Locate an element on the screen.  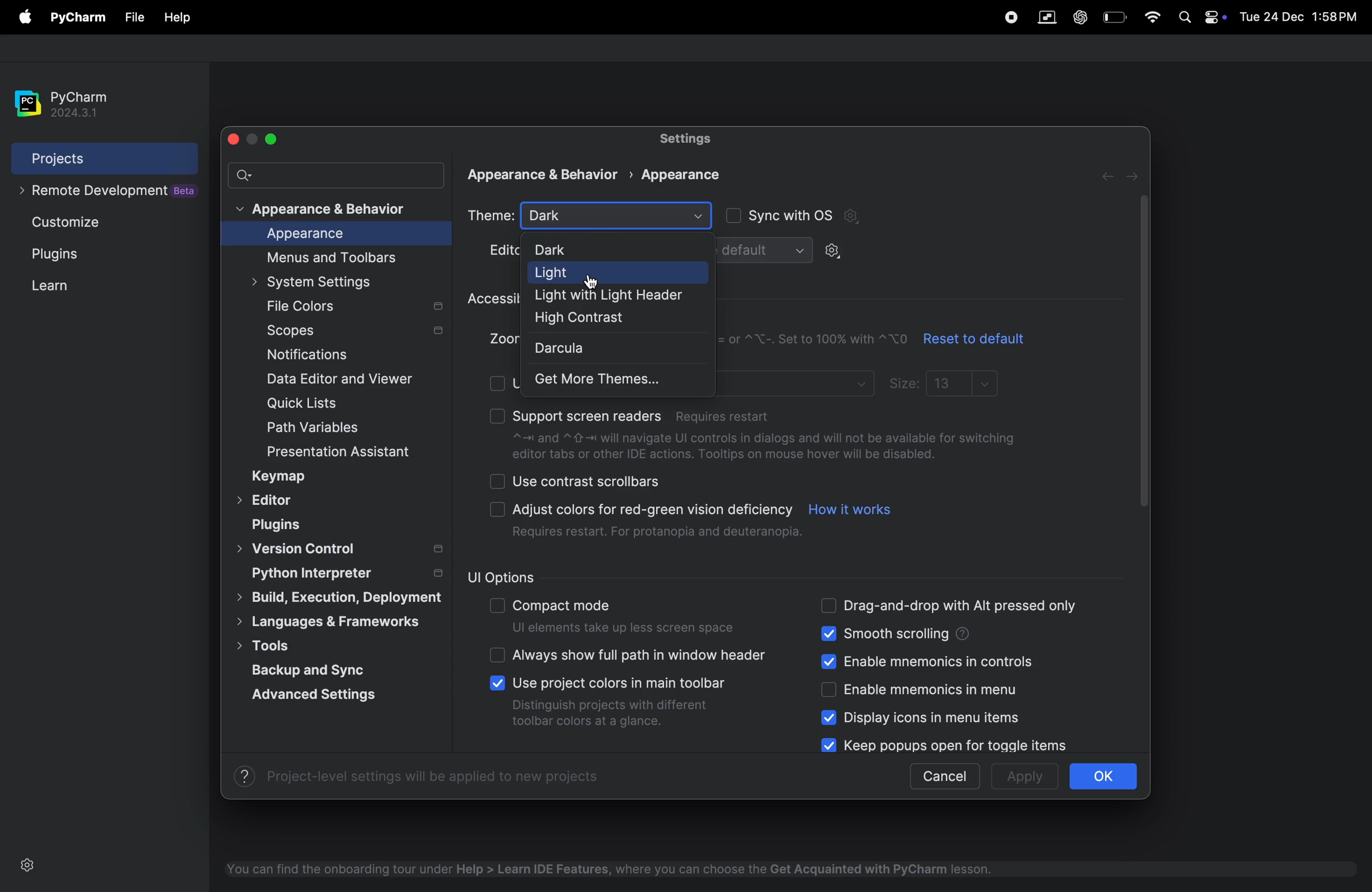
darcula is located at coordinates (584, 348).